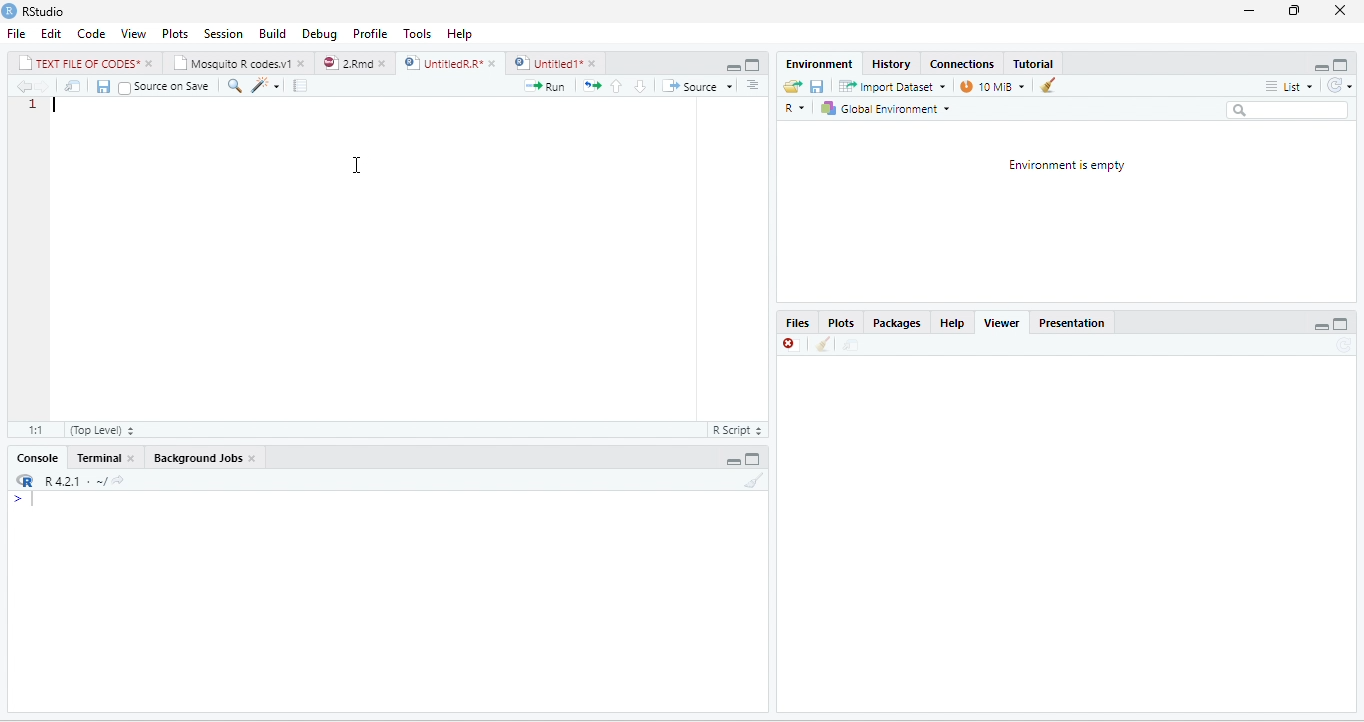 The height and width of the screenshot is (722, 1364). I want to click on code tools, so click(266, 85).